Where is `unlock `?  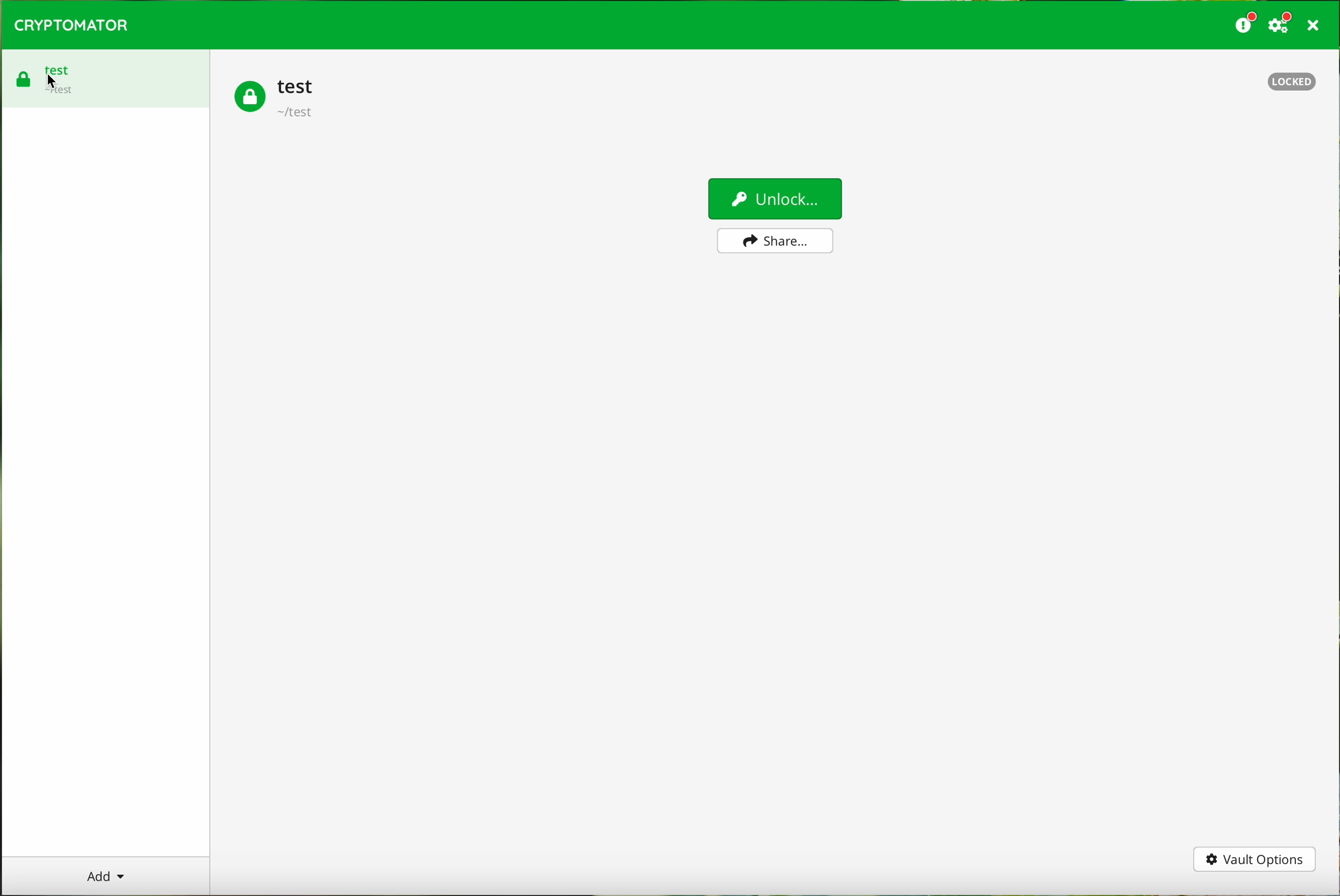 unlock  is located at coordinates (775, 201).